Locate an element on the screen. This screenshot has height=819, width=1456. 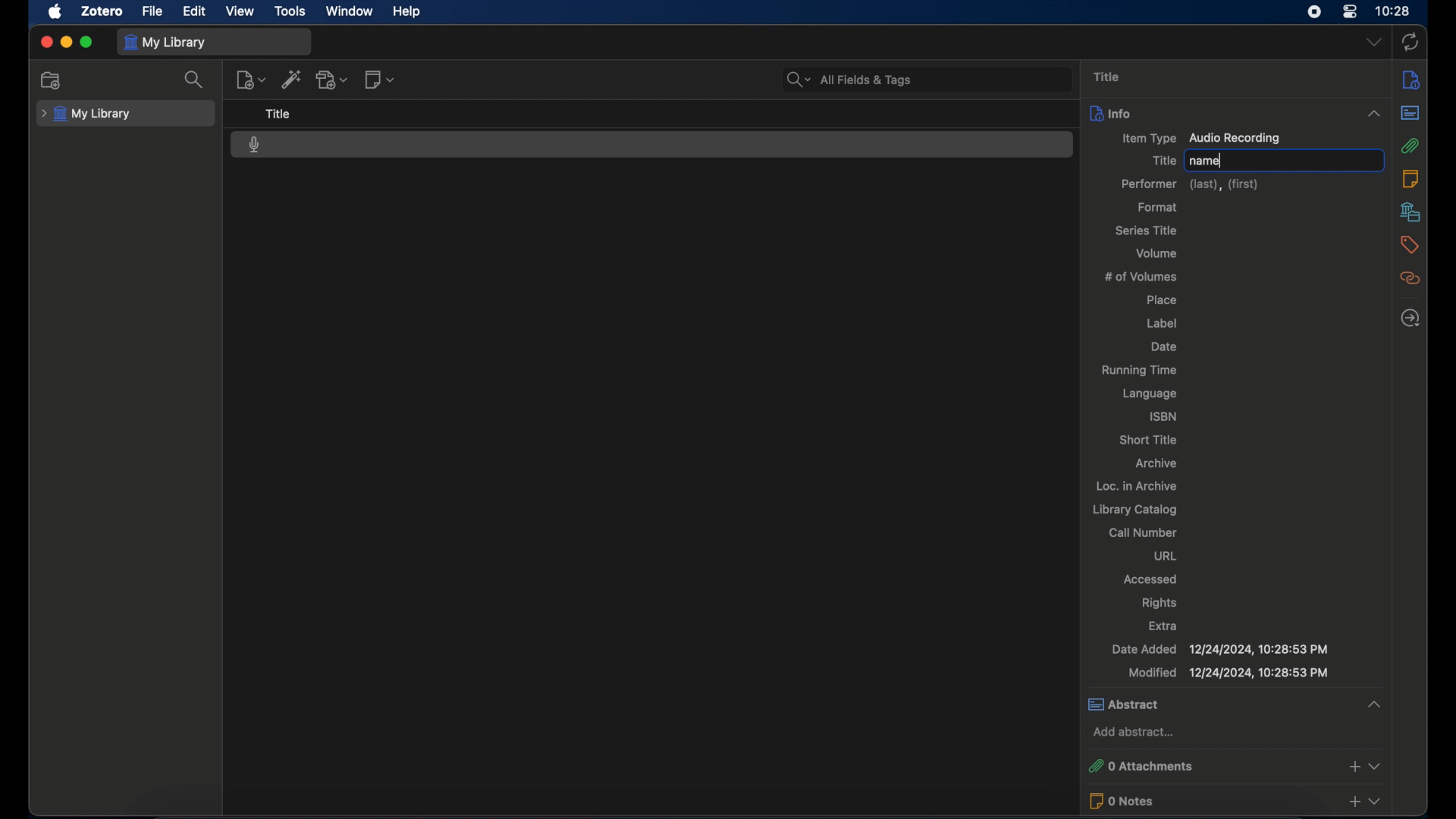
attachments is located at coordinates (1412, 146).